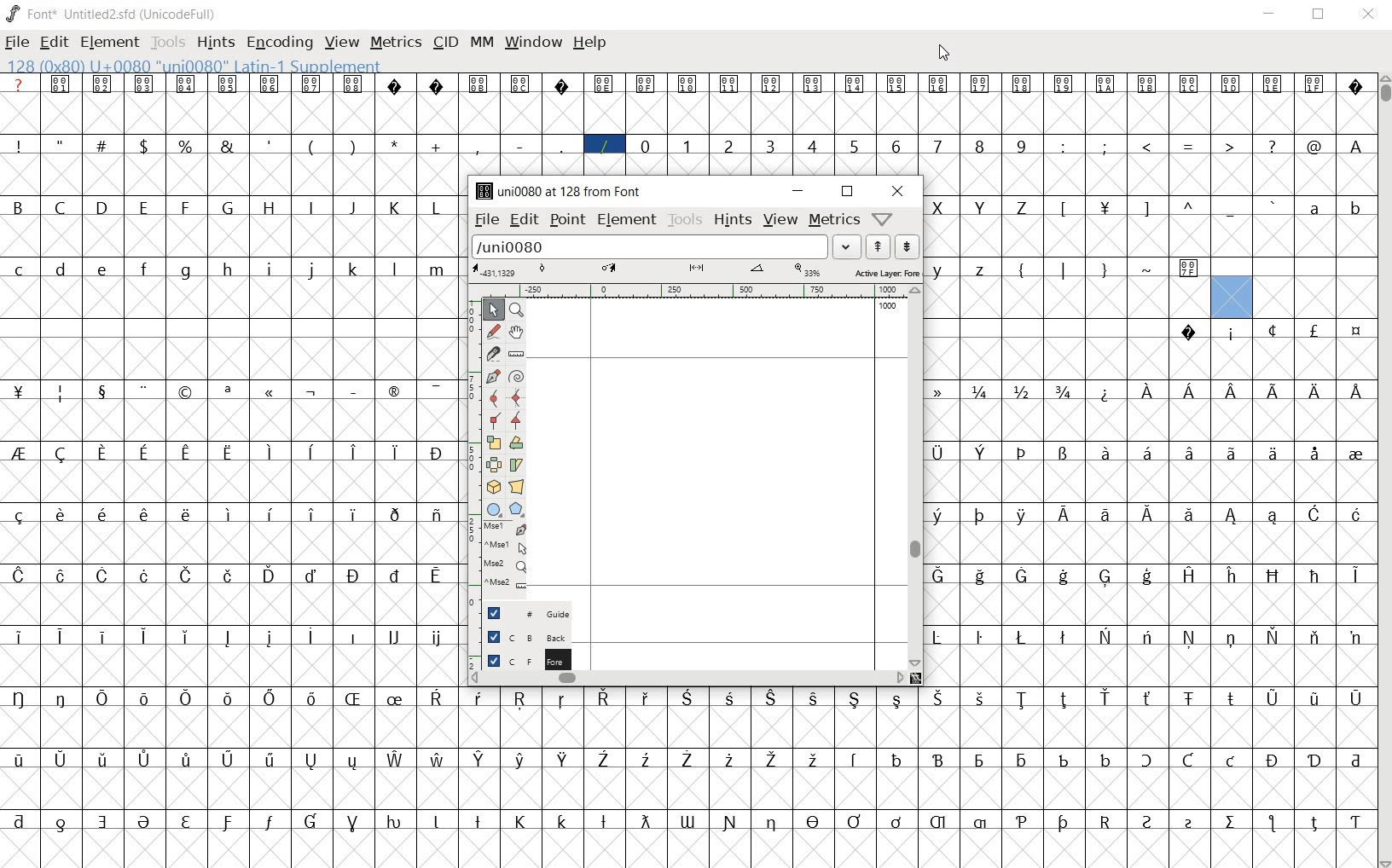 This screenshot has width=1392, height=868. I want to click on glyph, so click(186, 84).